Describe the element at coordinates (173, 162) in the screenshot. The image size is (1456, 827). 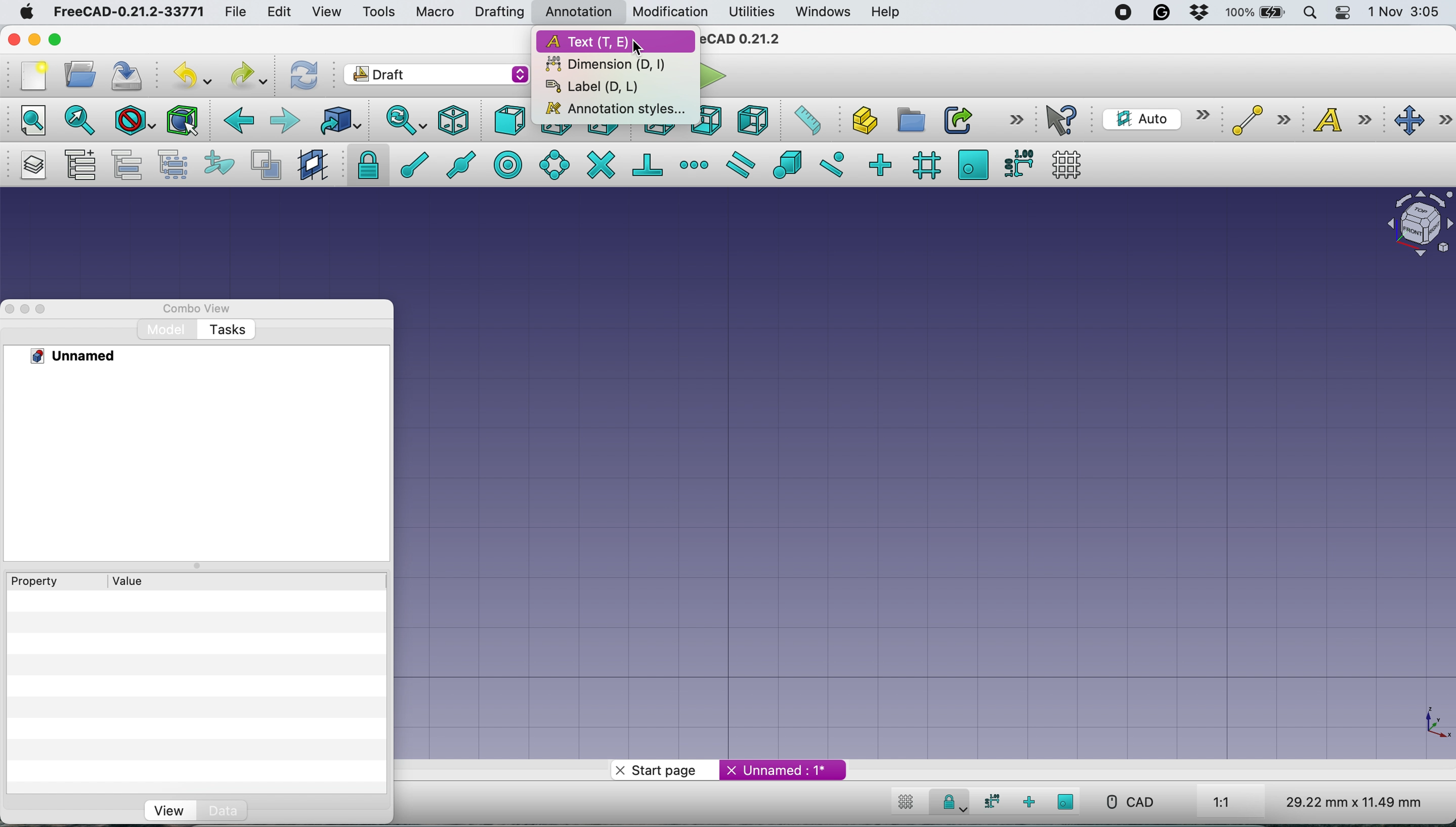
I see `select group` at that location.